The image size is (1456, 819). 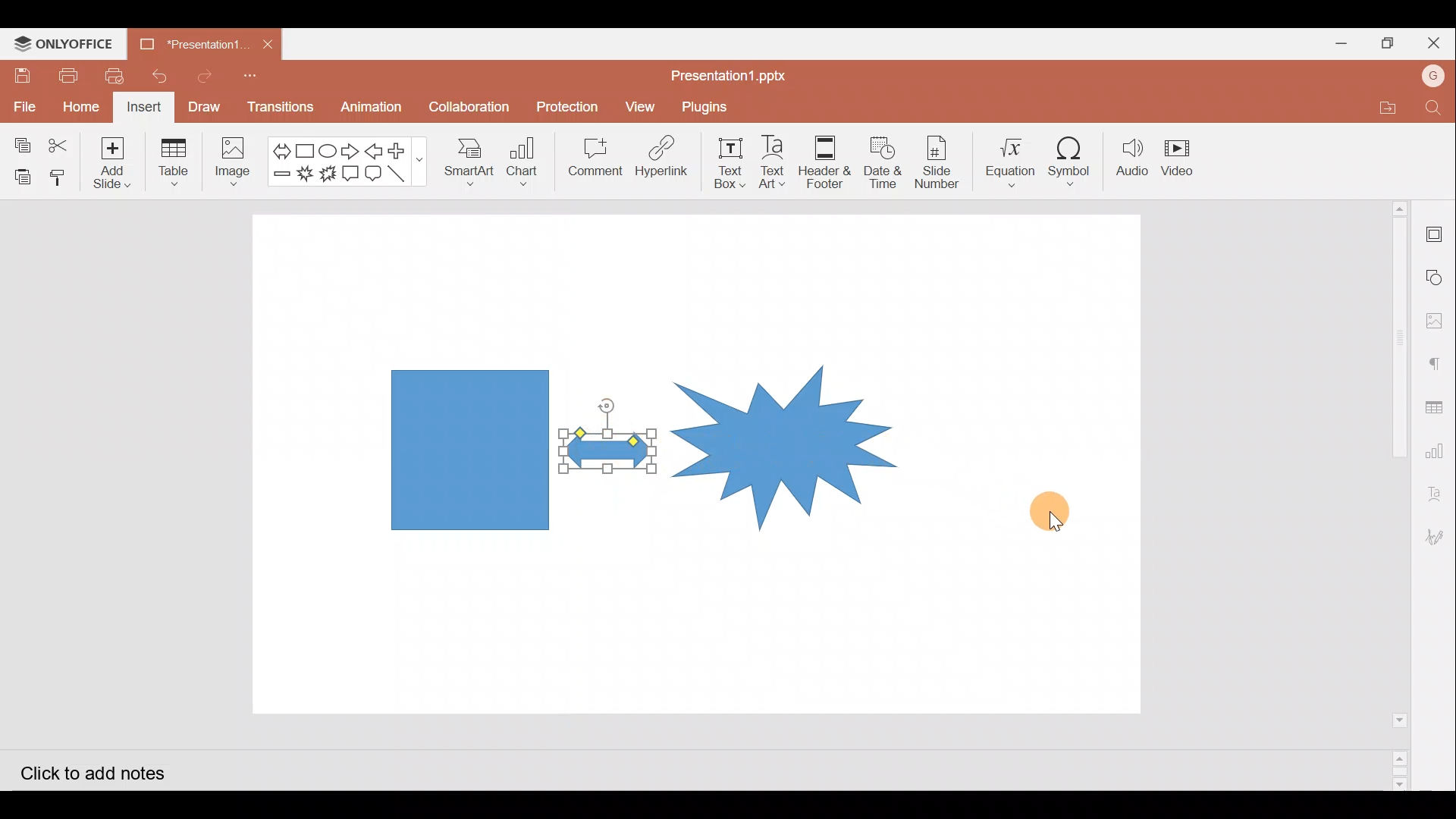 What do you see at coordinates (786, 429) in the screenshot?
I see `Explosion` at bounding box center [786, 429].